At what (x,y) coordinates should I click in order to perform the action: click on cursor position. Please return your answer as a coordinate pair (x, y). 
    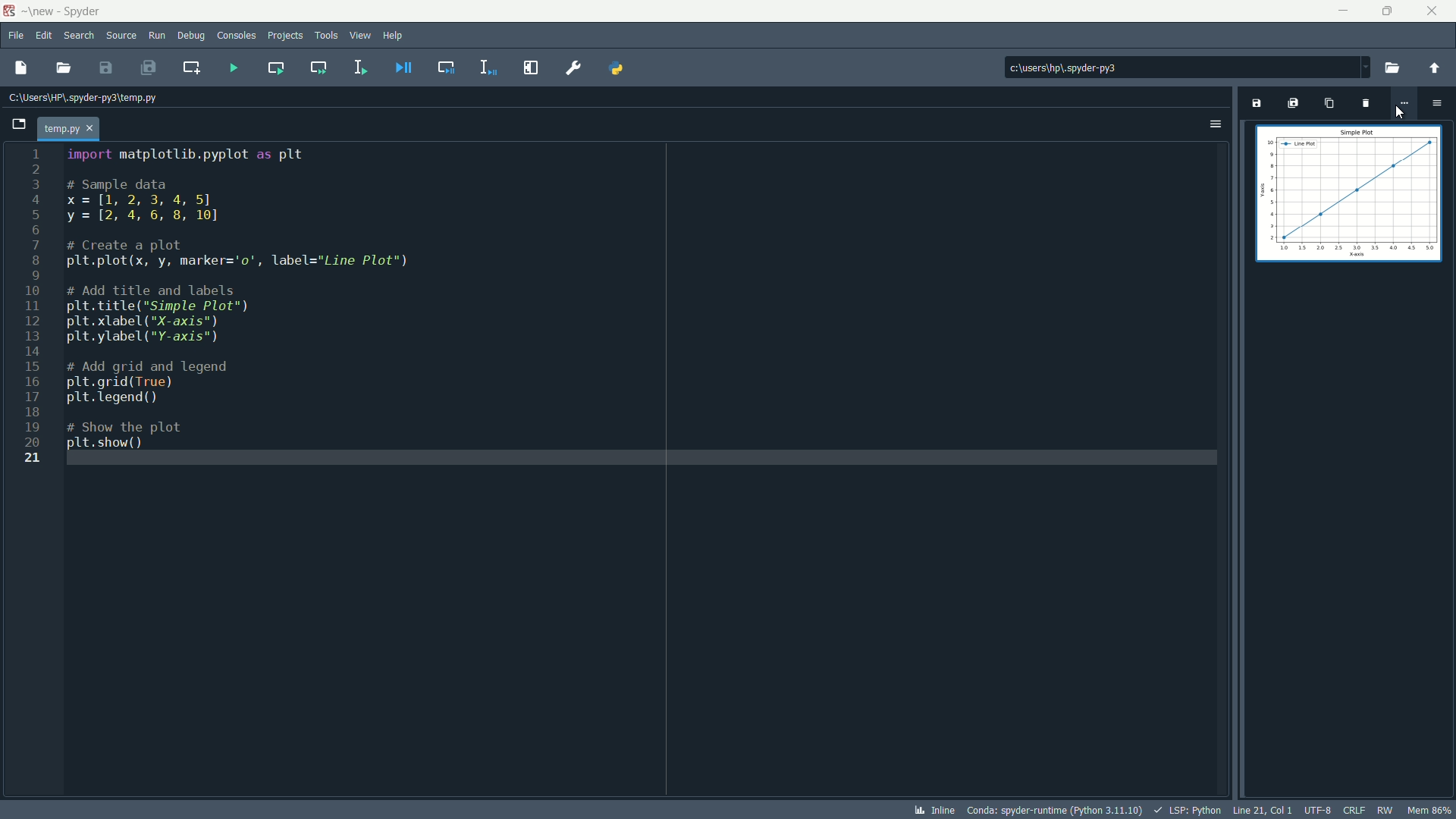
    Looking at the image, I should click on (1264, 810).